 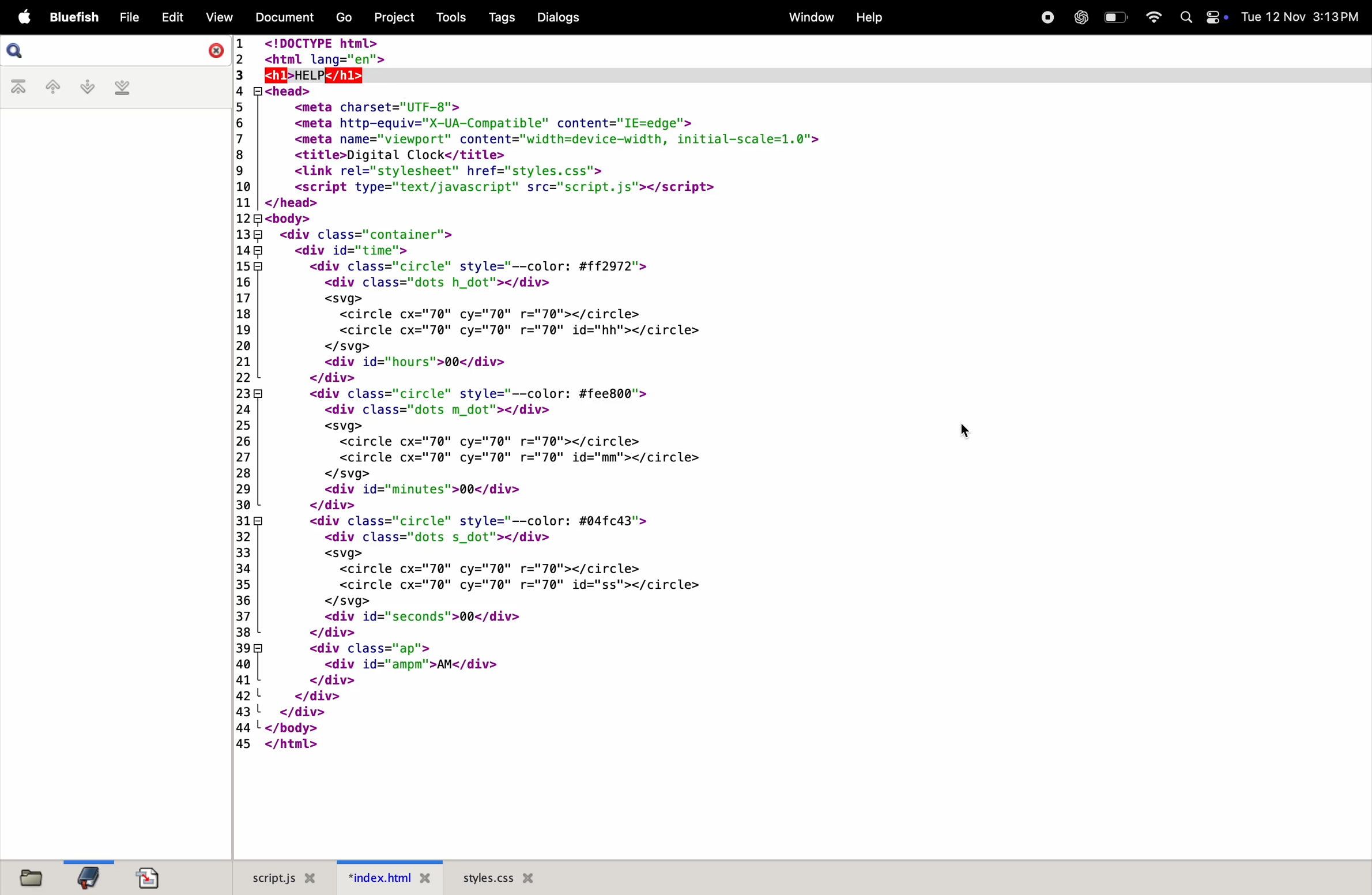 I want to click on Help (edited code), so click(x=316, y=75).